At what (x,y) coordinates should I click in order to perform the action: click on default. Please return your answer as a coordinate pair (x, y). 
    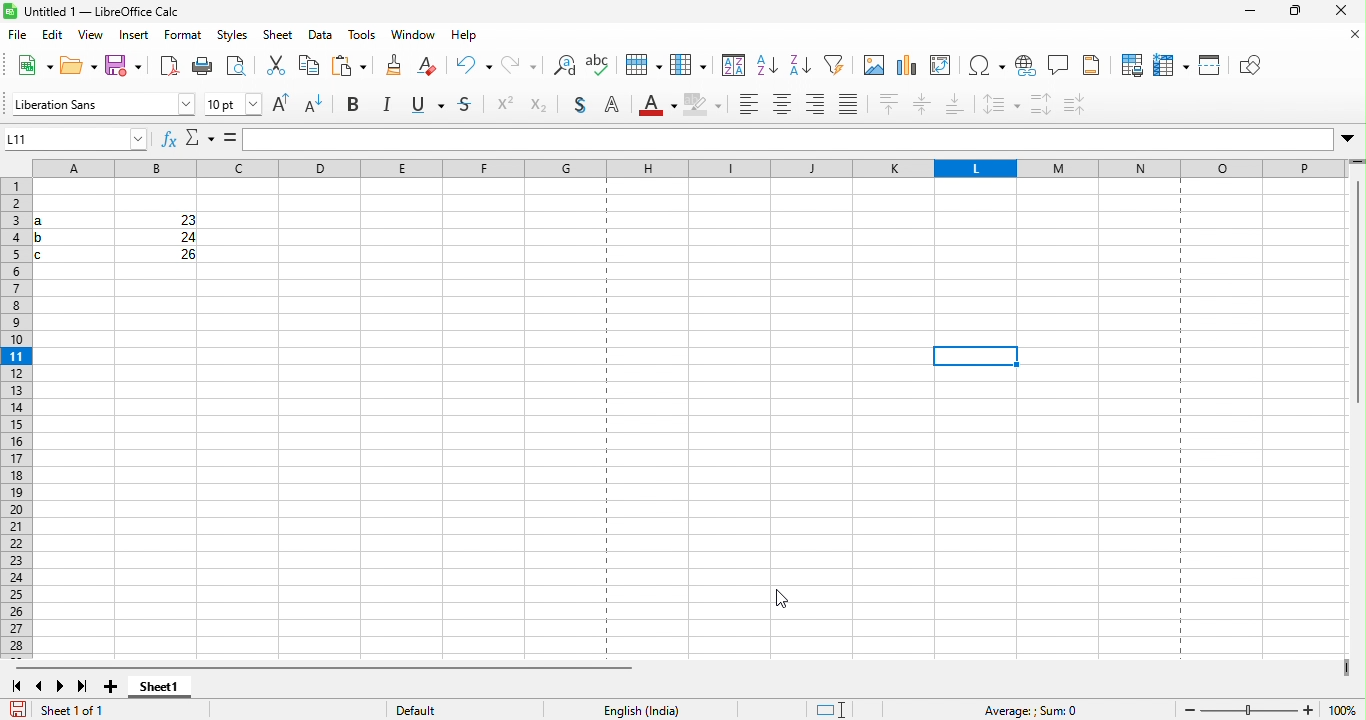
    Looking at the image, I should click on (443, 707).